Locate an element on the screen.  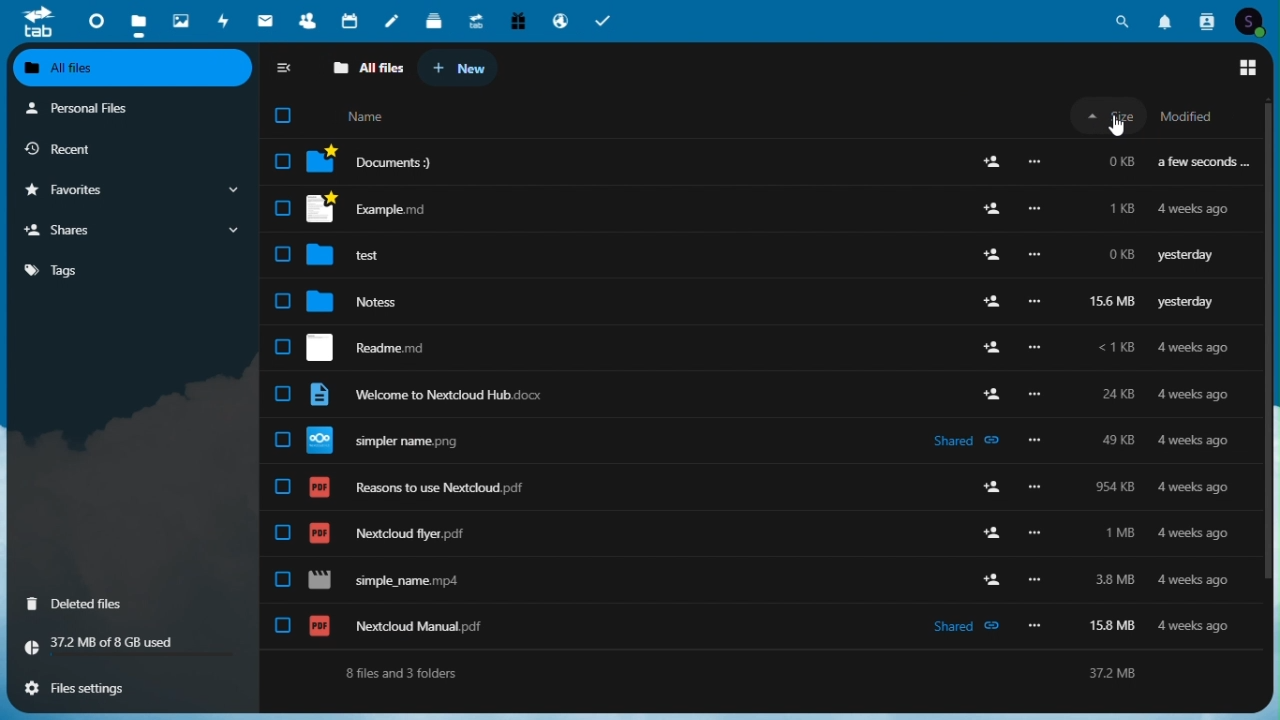
Size is located at coordinates (1113, 115).